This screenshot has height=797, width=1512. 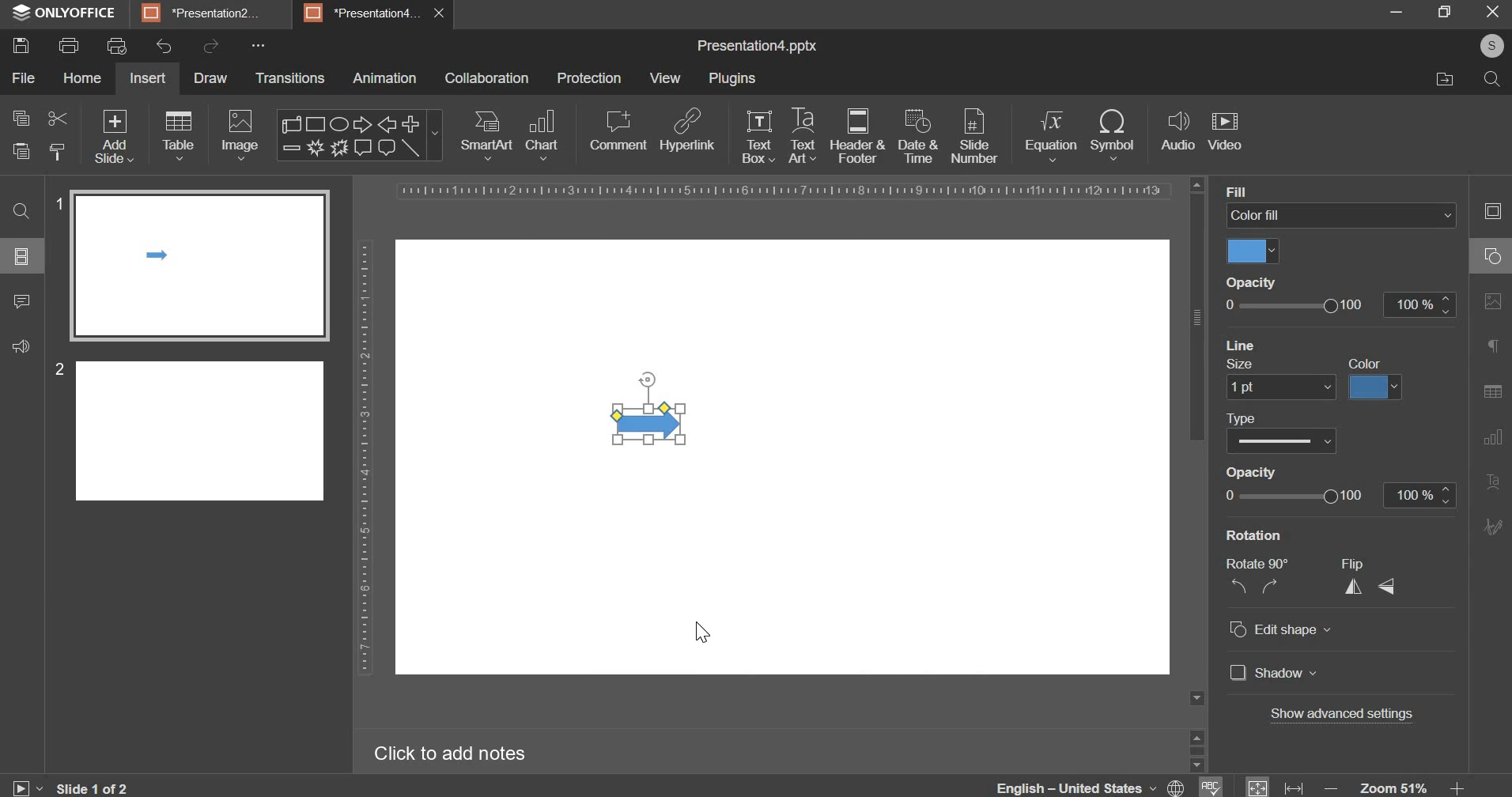 What do you see at coordinates (1114, 133) in the screenshot?
I see `symbol` at bounding box center [1114, 133].